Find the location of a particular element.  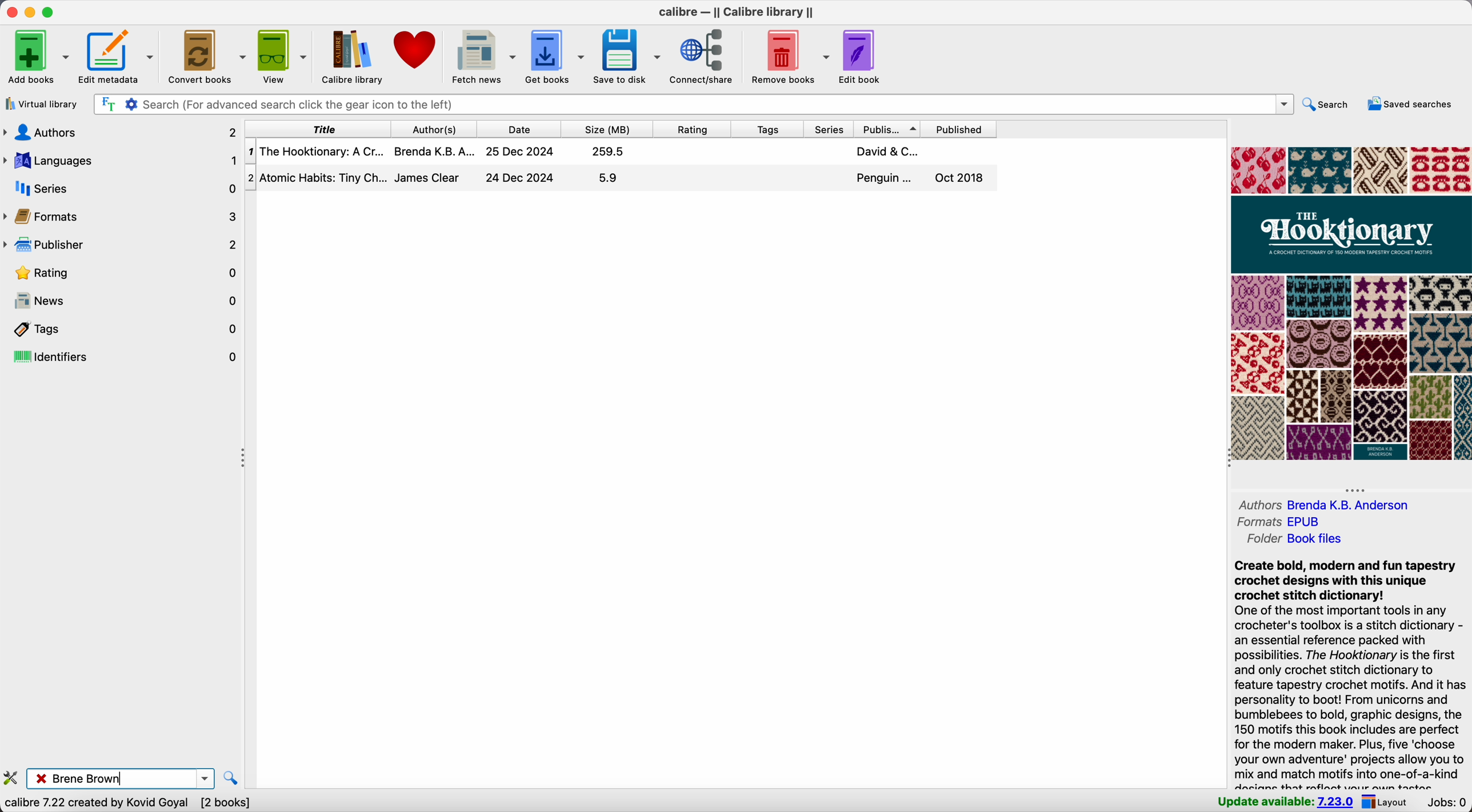

identifiers is located at coordinates (123, 355).